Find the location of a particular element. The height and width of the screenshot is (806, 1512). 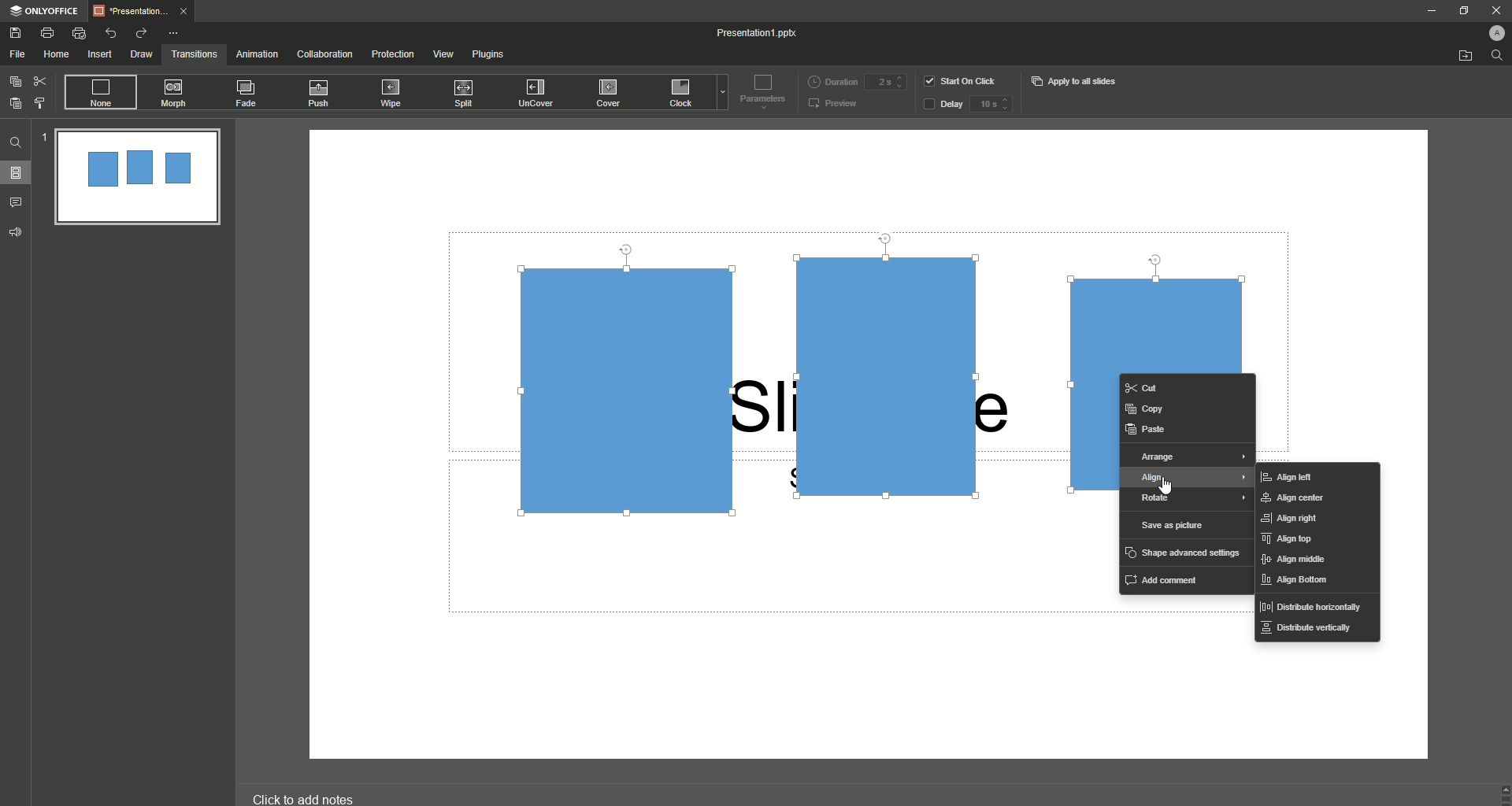

Paste is located at coordinates (1147, 429).